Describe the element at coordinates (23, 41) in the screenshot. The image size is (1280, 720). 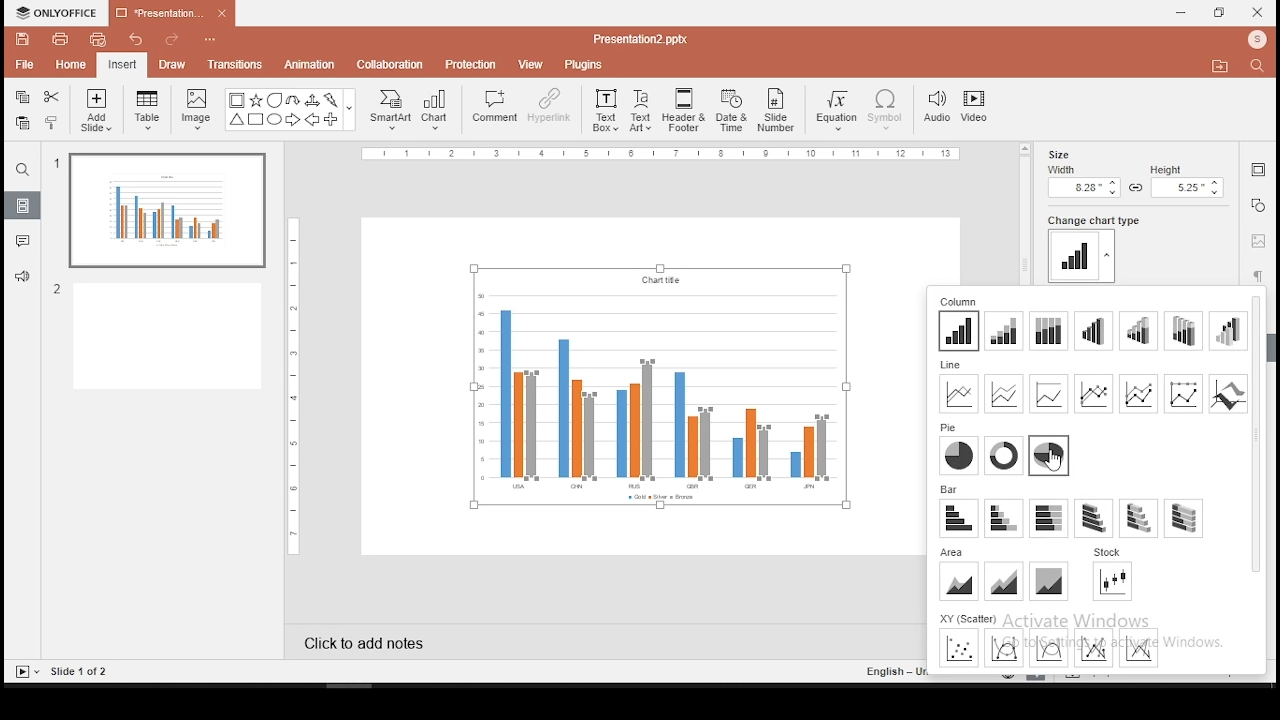
I see `save` at that location.